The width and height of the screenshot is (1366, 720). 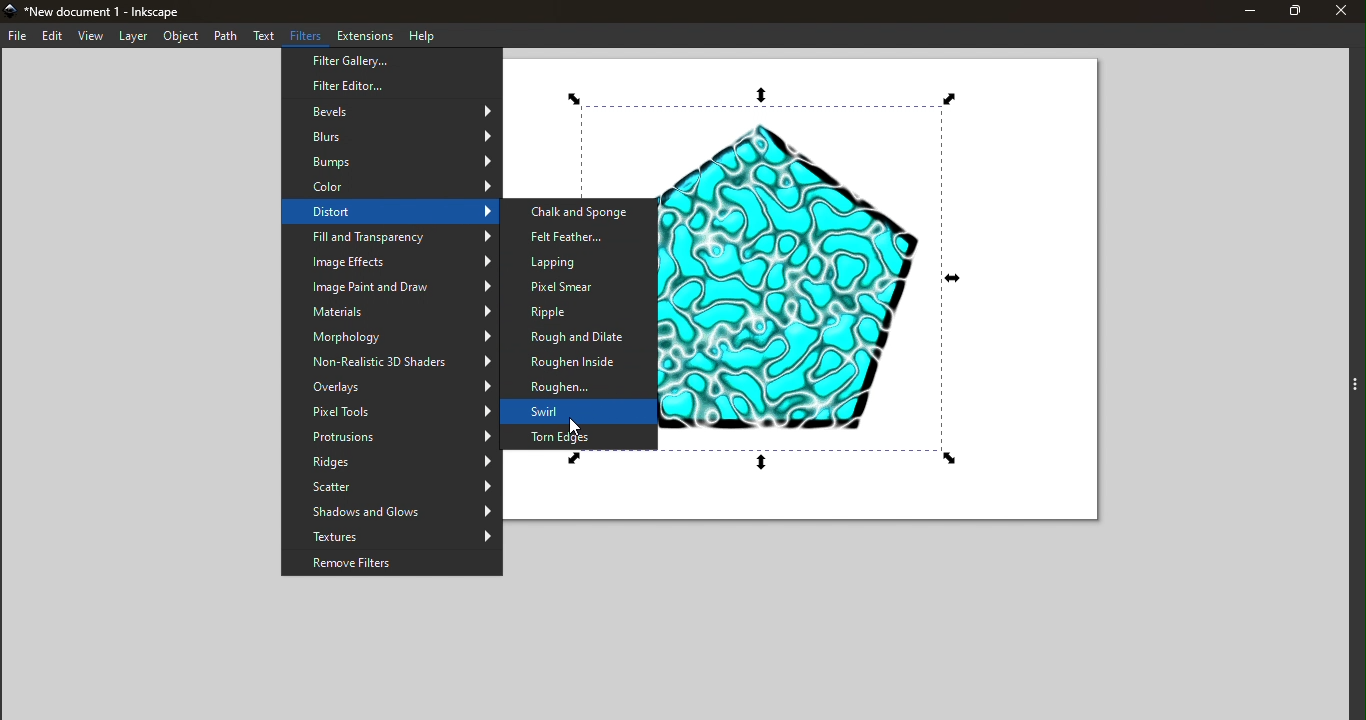 I want to click on Maximize, so click(x=1298, y=10).